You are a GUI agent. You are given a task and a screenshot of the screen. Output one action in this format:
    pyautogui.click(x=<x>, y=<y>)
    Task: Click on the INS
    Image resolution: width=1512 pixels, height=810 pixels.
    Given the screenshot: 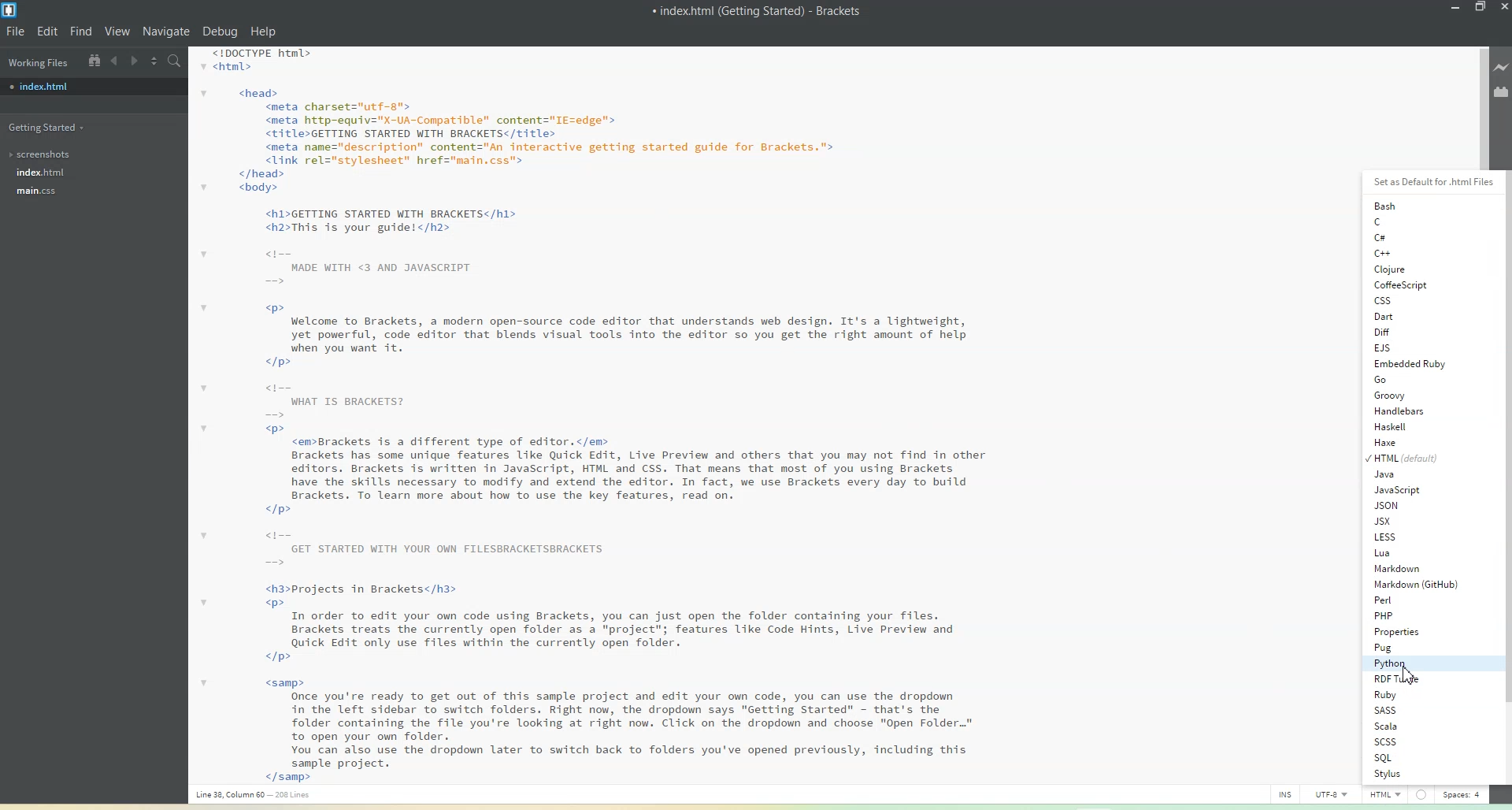 What is the action you would take?
    pyautogui.click(x=1285, y=793)
    